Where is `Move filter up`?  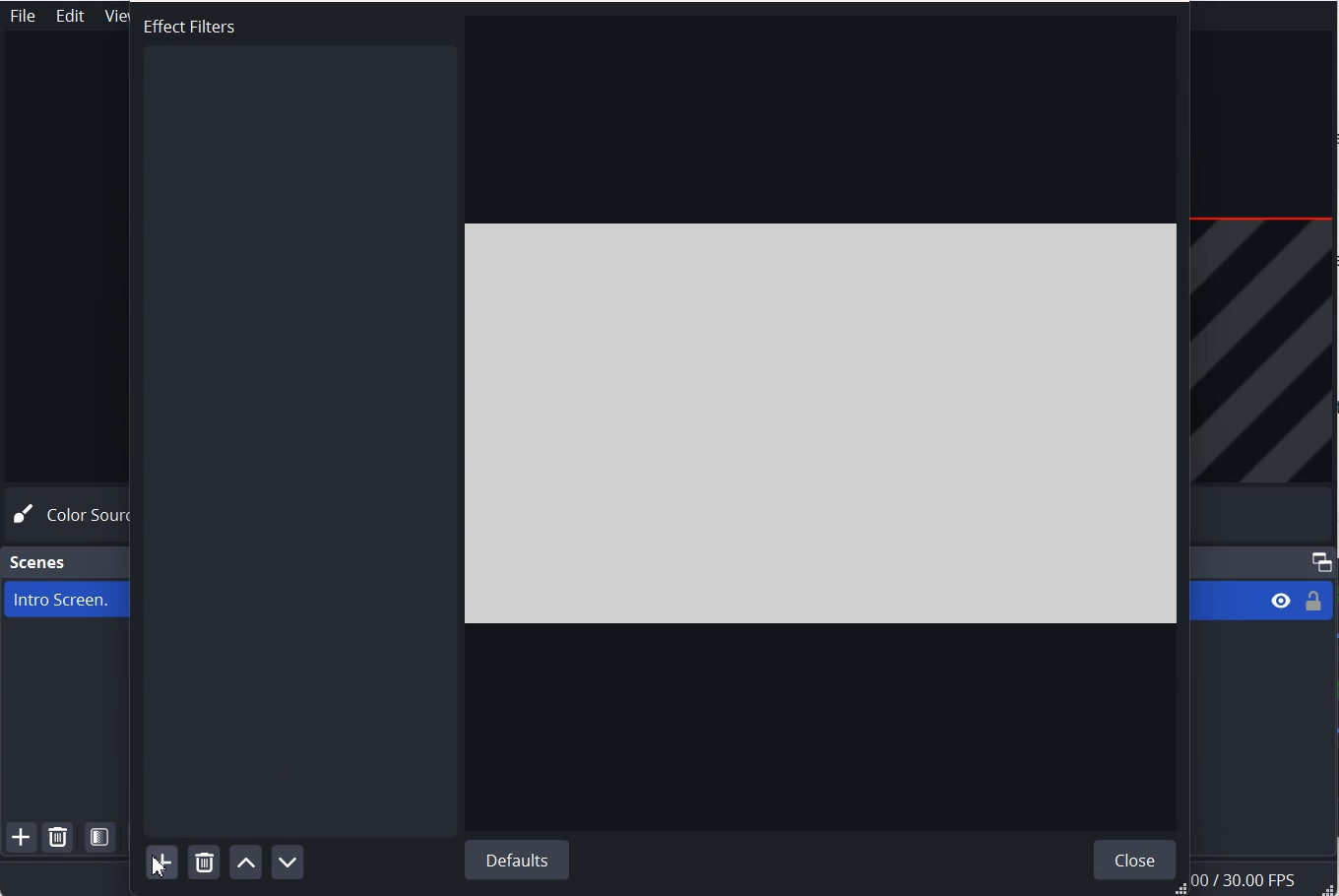
Move filter up is located at coordinates (245, 861).